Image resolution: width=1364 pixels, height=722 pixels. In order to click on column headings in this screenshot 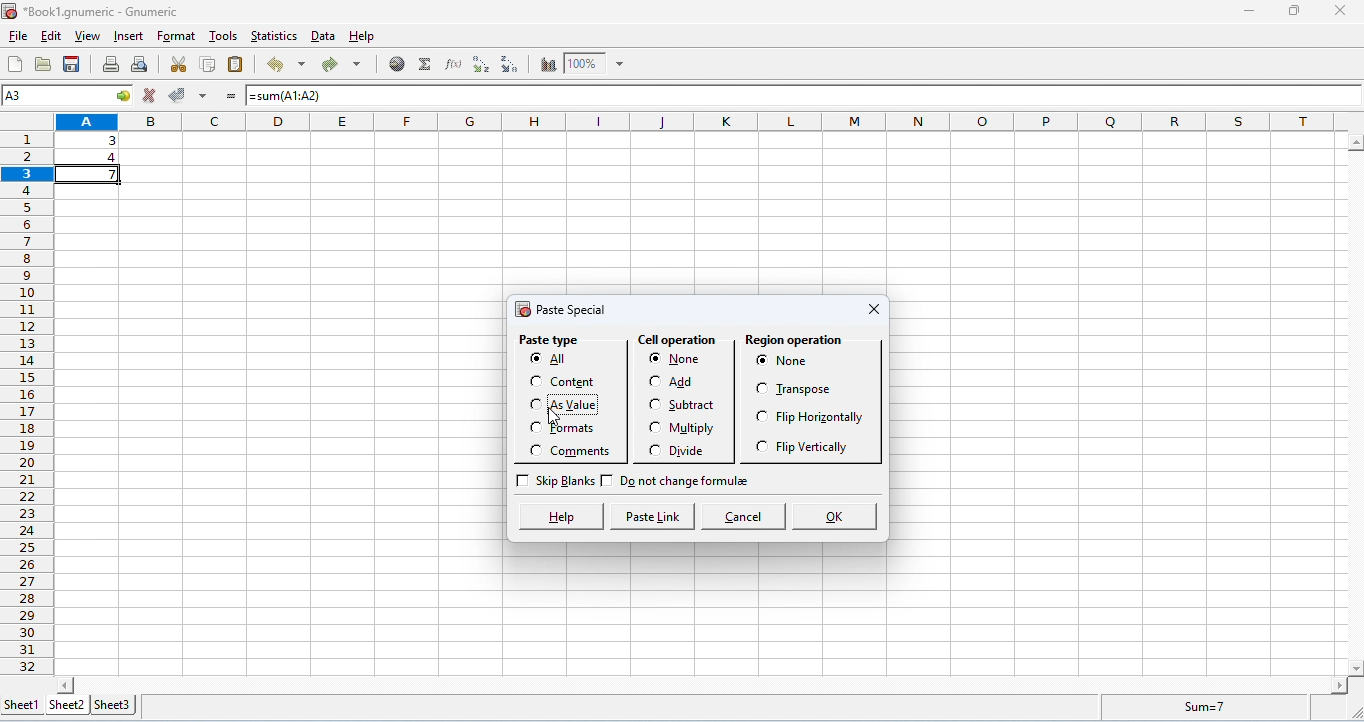, I will do `click(699, 121)`.